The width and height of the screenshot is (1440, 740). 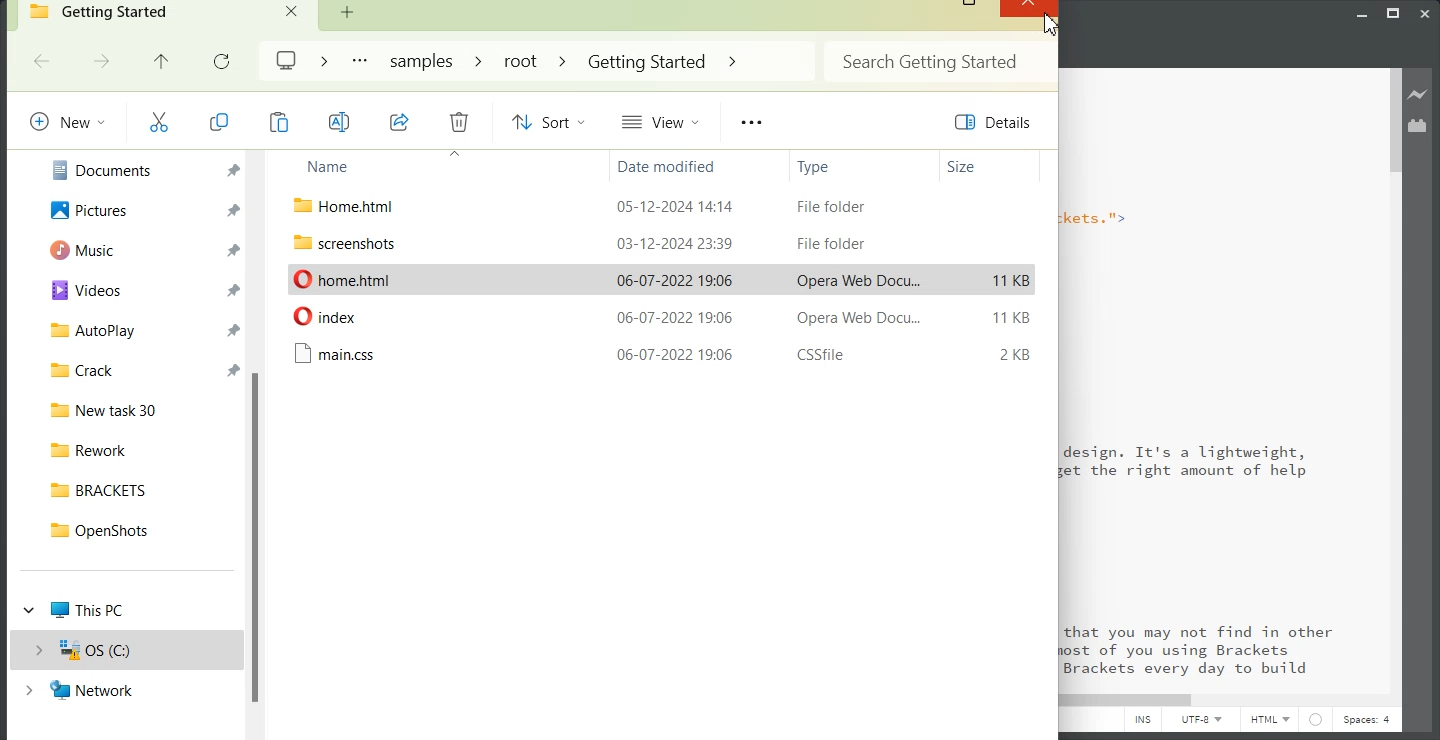 What do you see at coordinates (44, 61) in the screenshot?
I see `Go Back` at bounding box center [44, 61].